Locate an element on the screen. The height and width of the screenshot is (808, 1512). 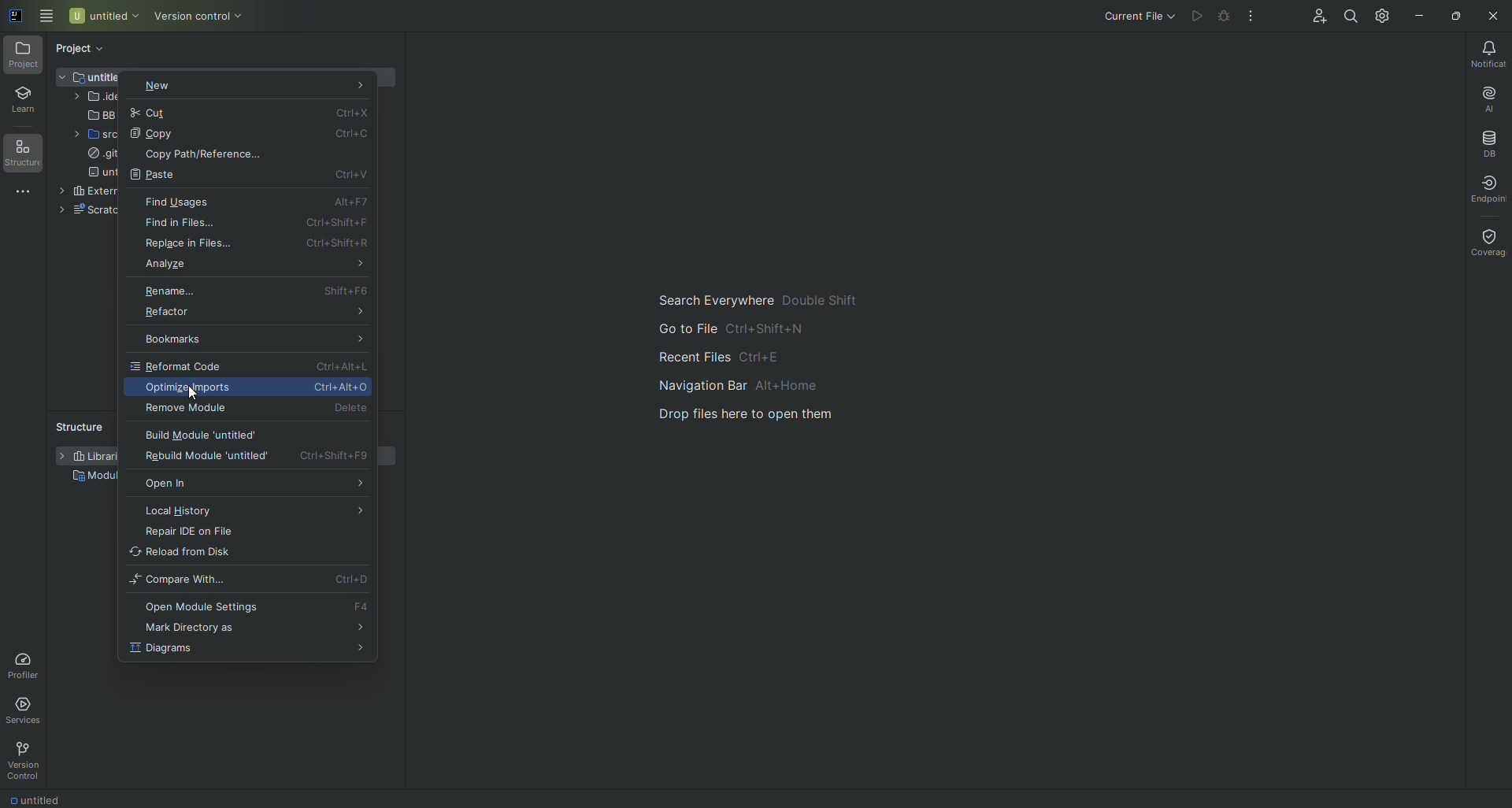
Code With Me is located at coordinates (1310, 17).